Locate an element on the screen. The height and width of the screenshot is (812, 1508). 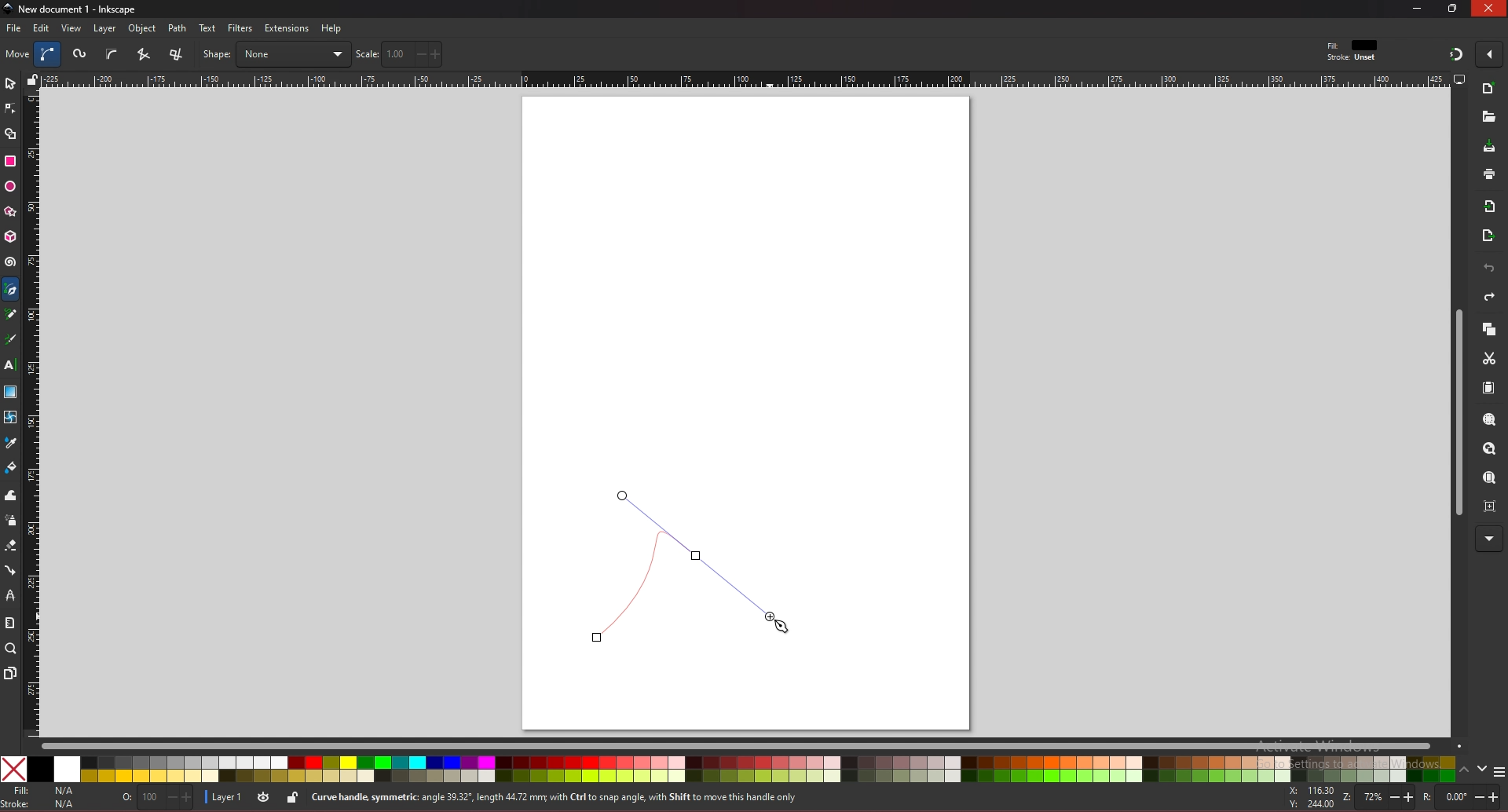
enable snapping is located at coordinates (1489, 53).